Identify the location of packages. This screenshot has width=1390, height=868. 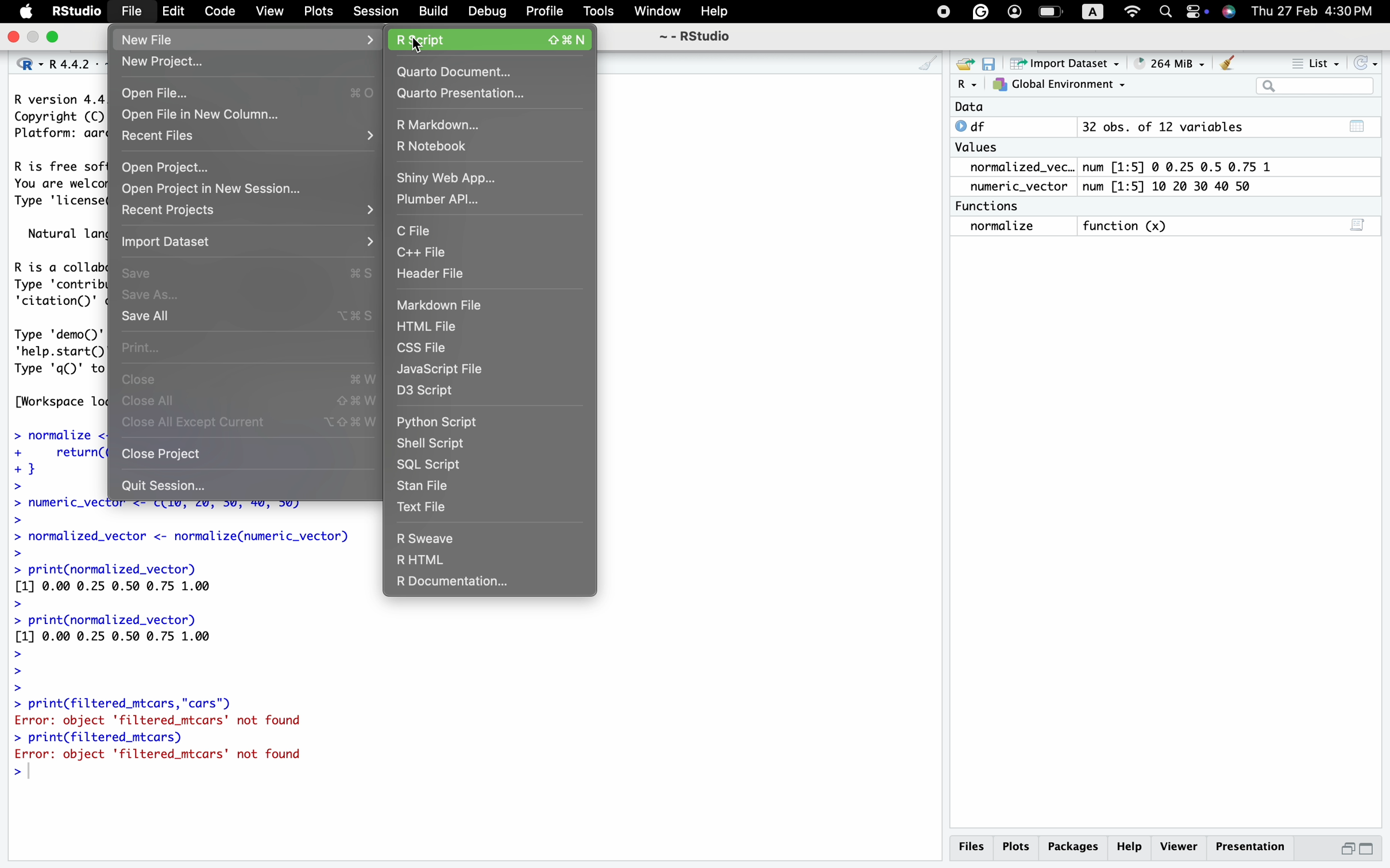
(1073, 848).